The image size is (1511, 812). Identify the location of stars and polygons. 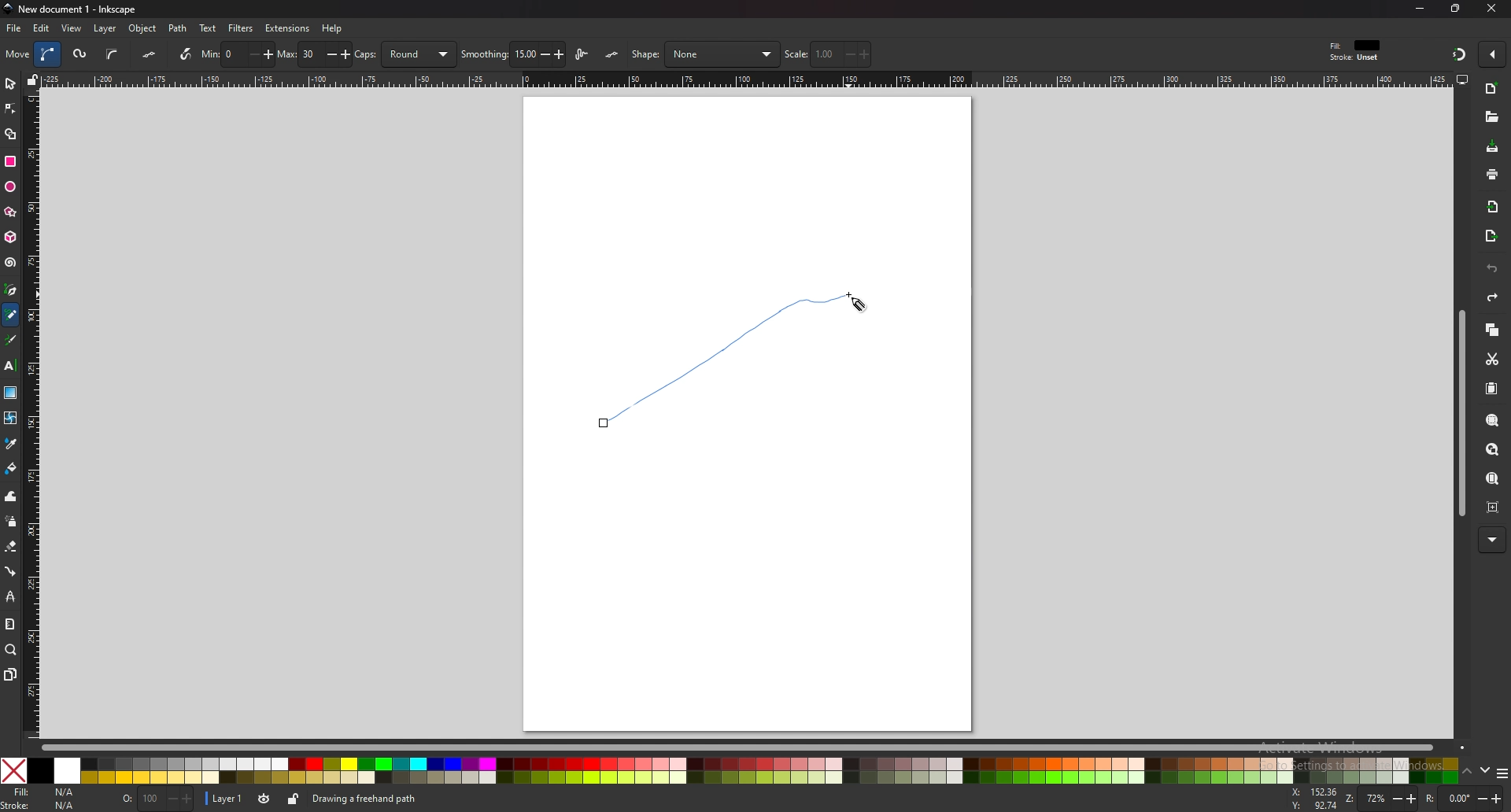
(10, 212).